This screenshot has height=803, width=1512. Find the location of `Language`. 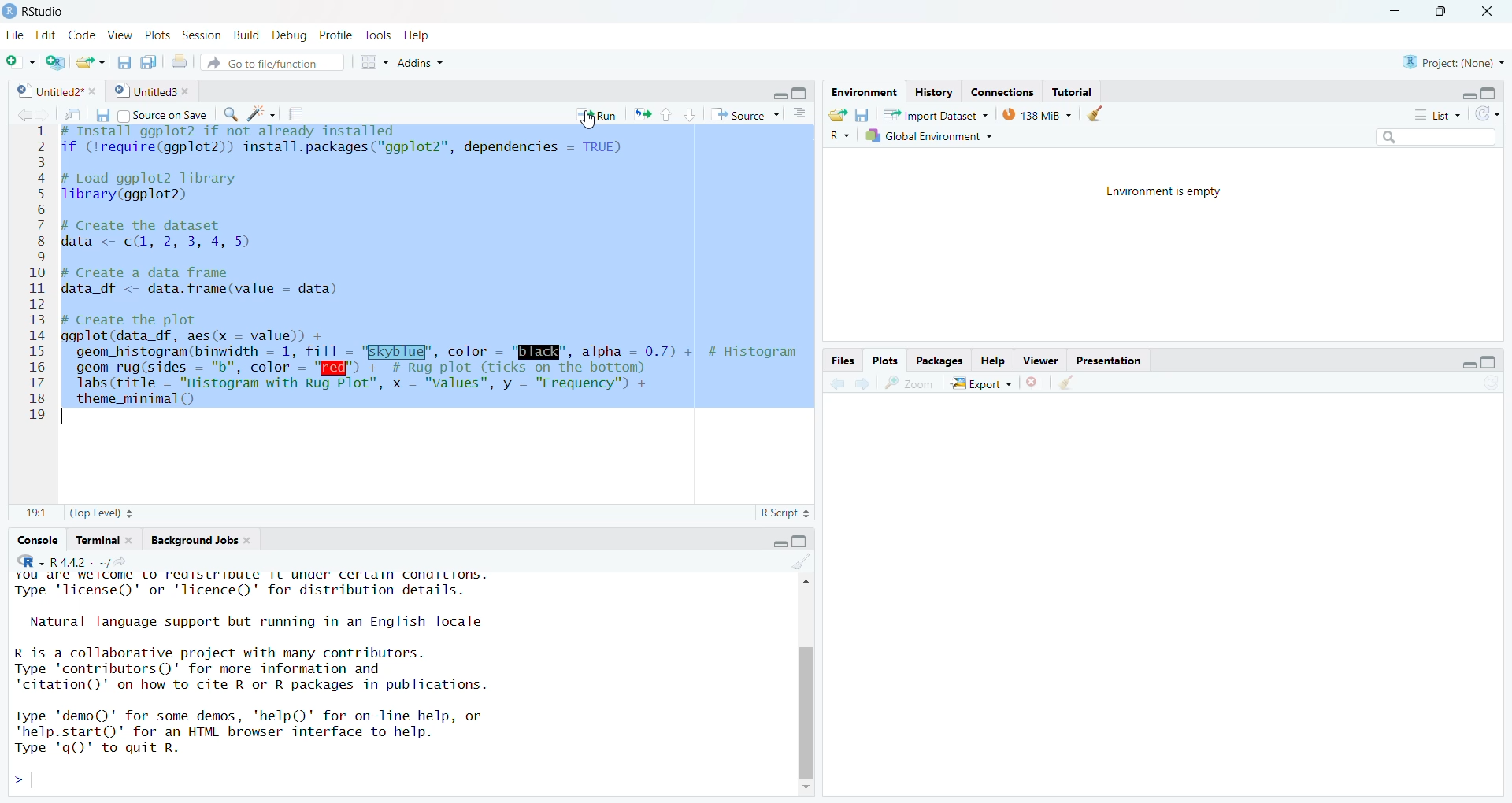

Language is located at coordinates (830, 138).